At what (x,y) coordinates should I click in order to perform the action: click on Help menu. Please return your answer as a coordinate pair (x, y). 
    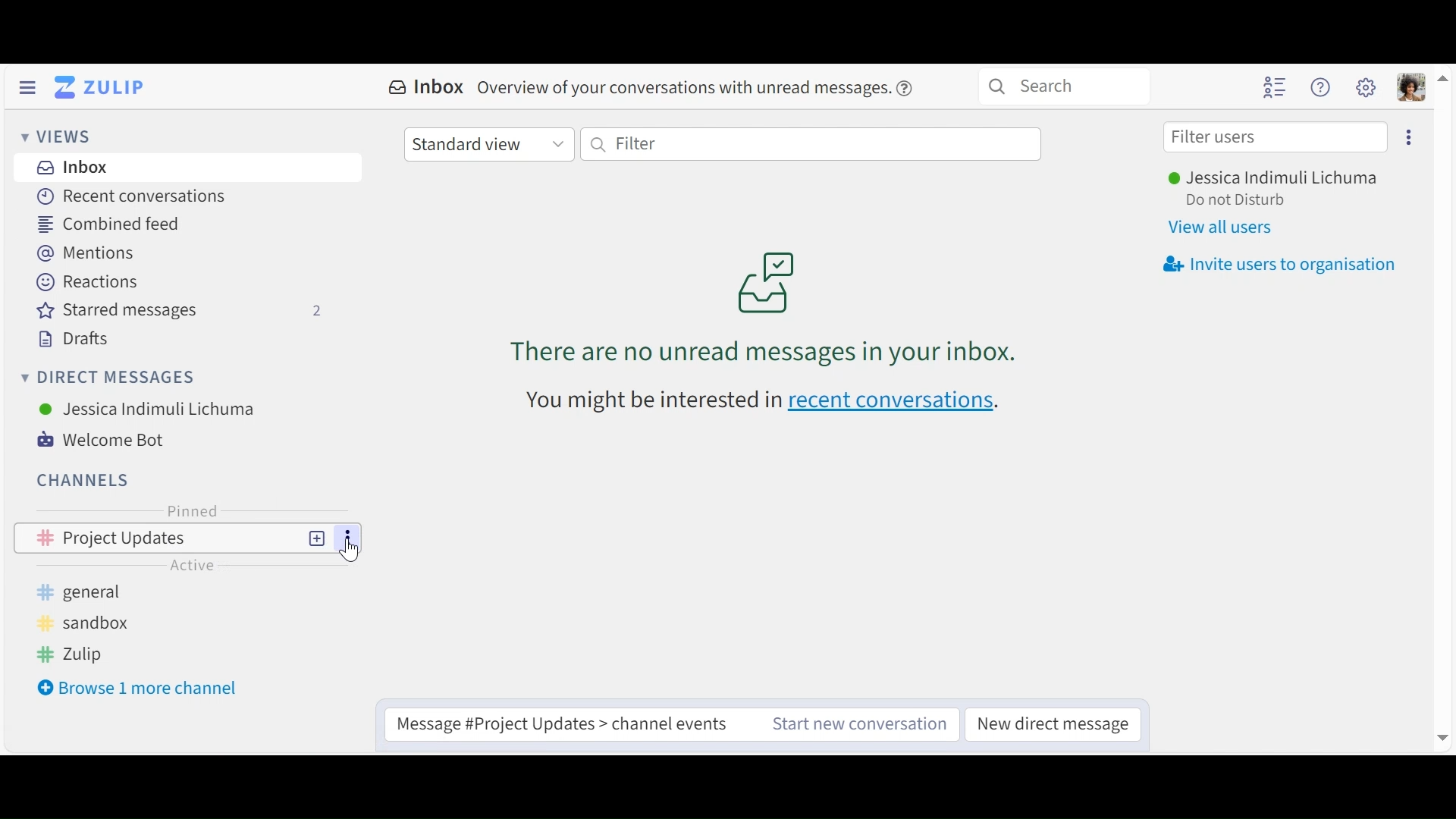
    Looking at the image, I should click on (1320, 88).